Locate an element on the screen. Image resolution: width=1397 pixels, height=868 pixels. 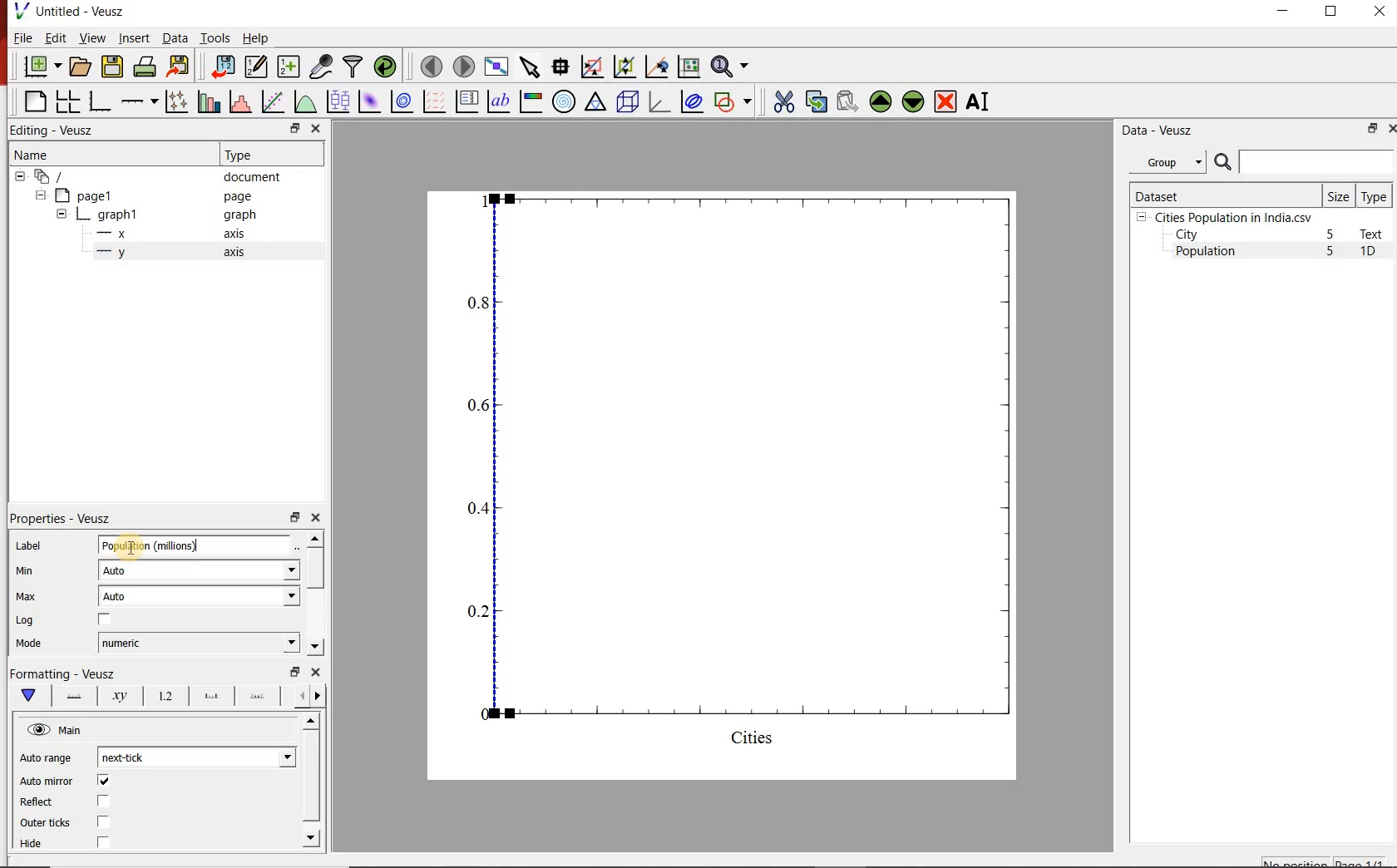
Main is located at coordinates (56, 730).